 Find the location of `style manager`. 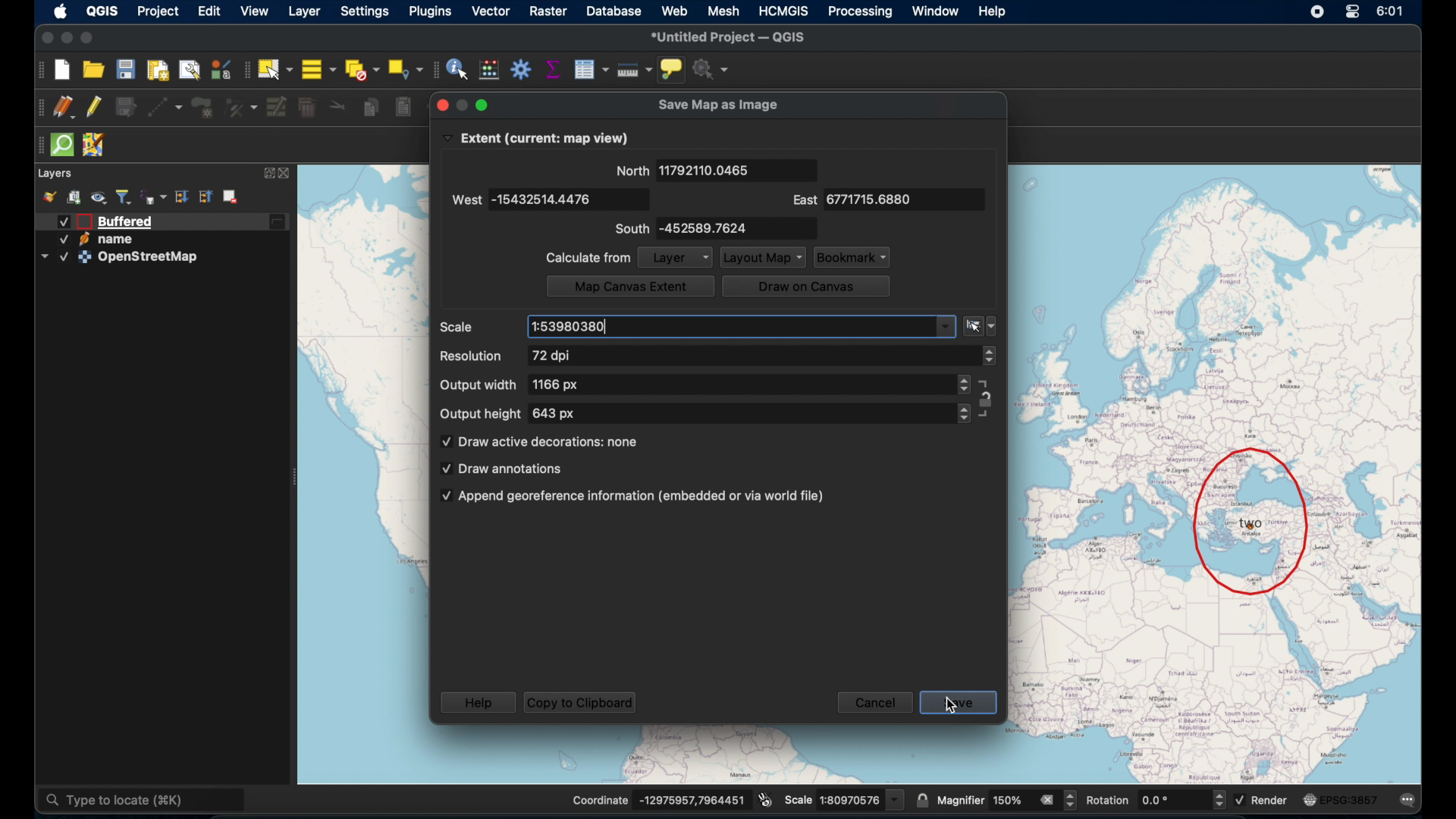

style manager is located at coordinates (51, 196).